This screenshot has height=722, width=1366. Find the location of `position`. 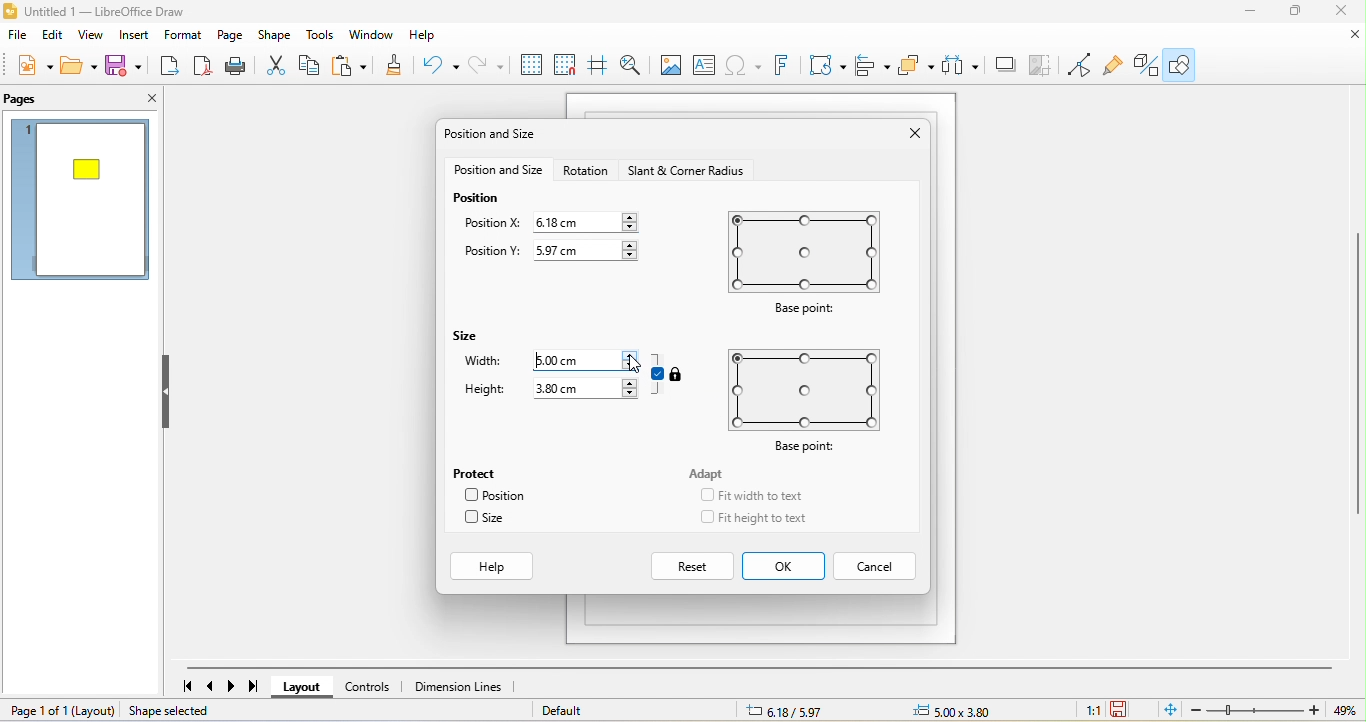

position is located at coordinates (473, 200).